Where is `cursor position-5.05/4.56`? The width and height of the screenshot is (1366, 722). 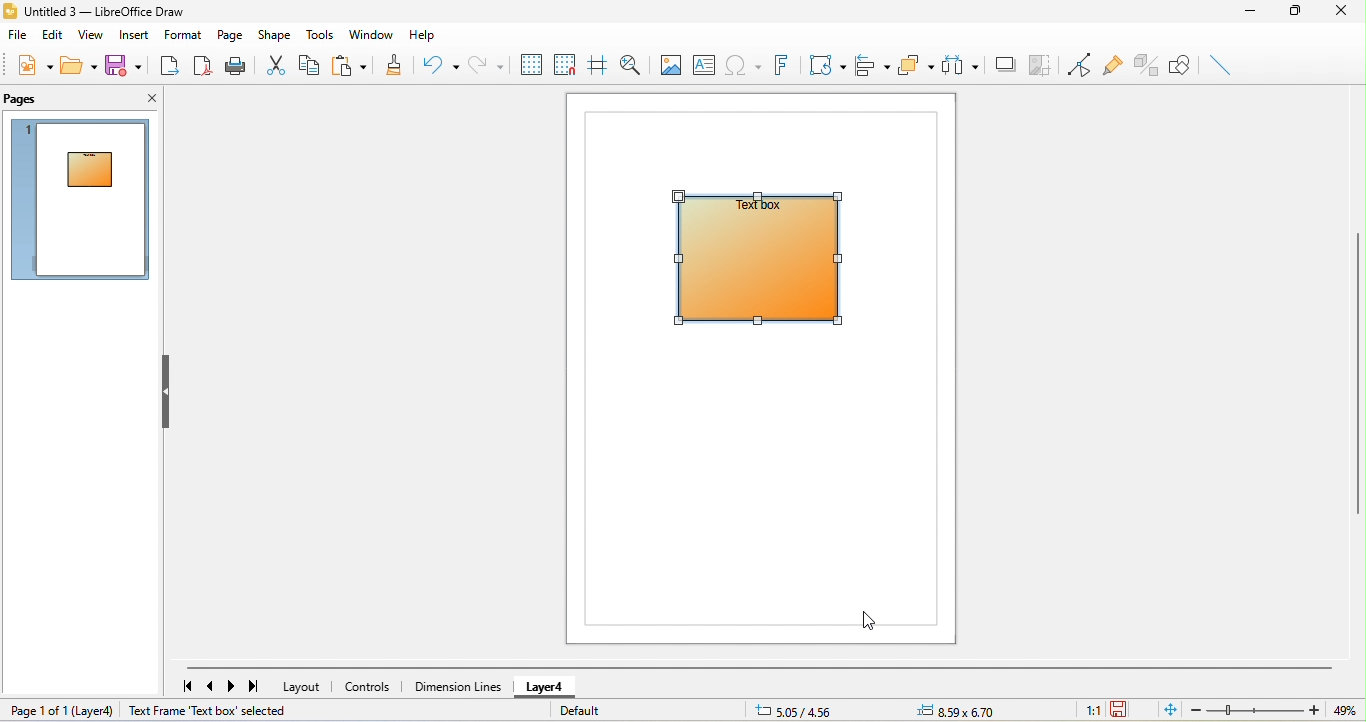 cursor position-5.05/4.56 is located at coordinates (797, 710).